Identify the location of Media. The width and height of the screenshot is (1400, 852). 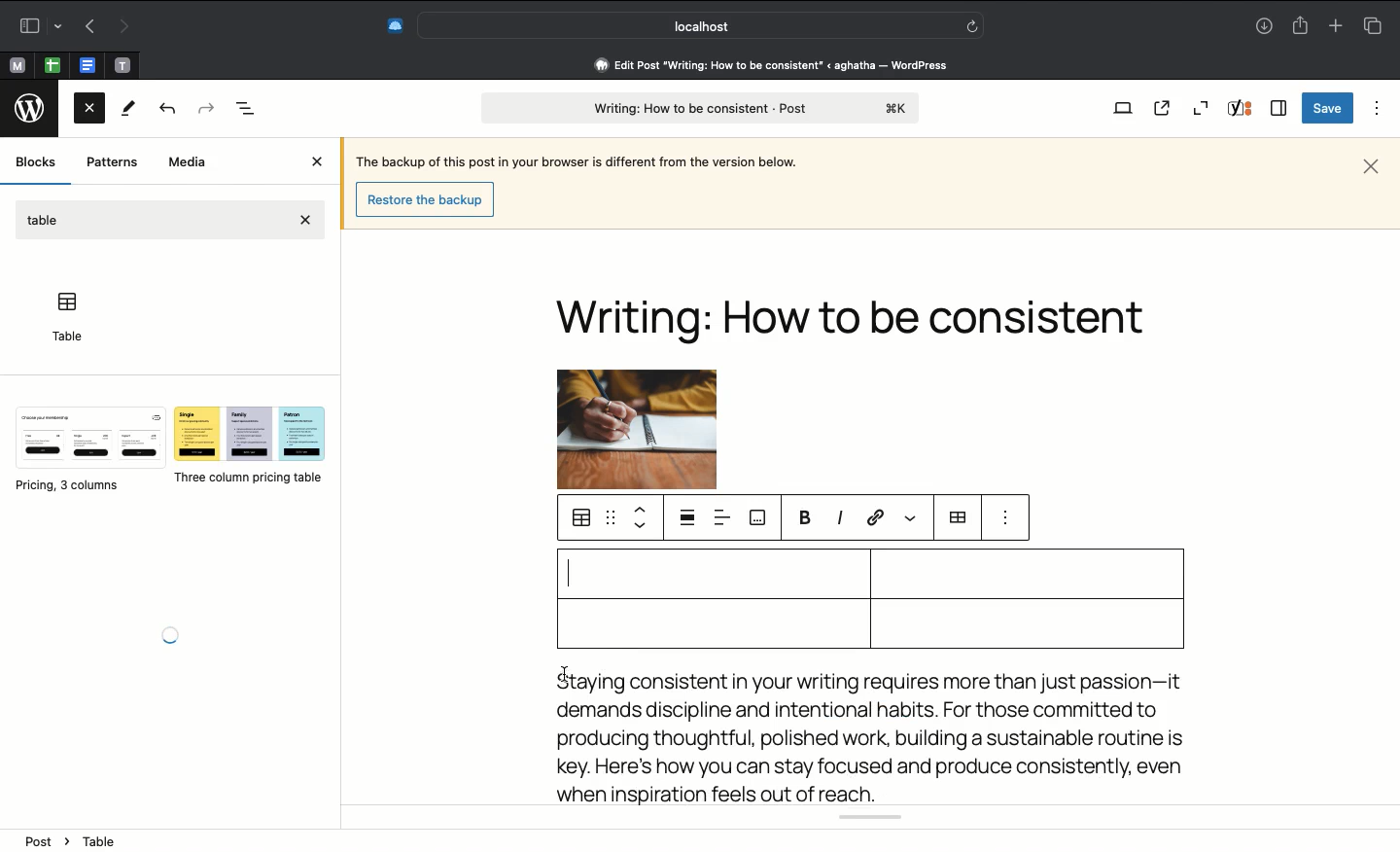
(189, 163).